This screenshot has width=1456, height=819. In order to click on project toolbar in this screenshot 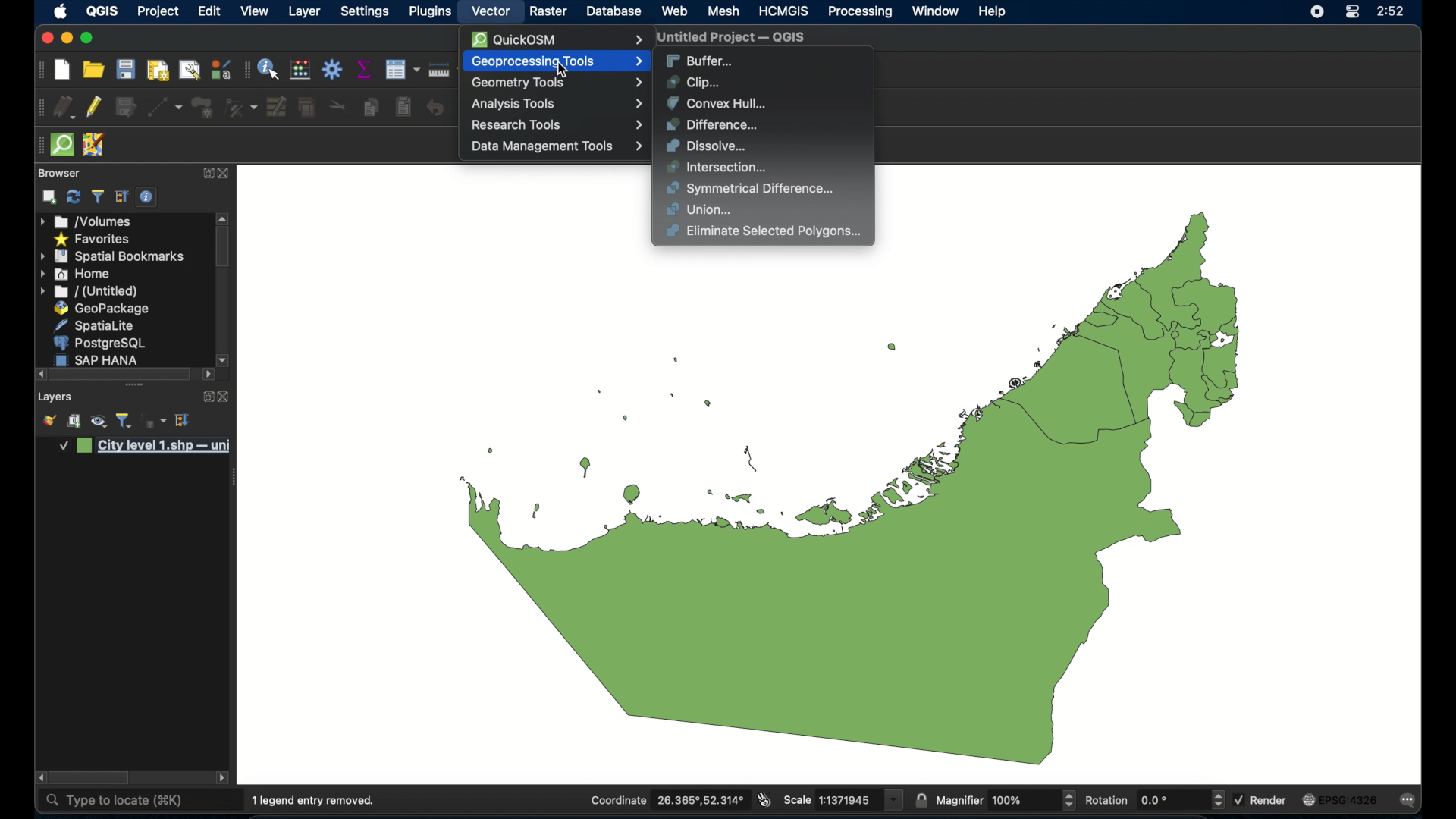, I will do `click(39, 71)`.